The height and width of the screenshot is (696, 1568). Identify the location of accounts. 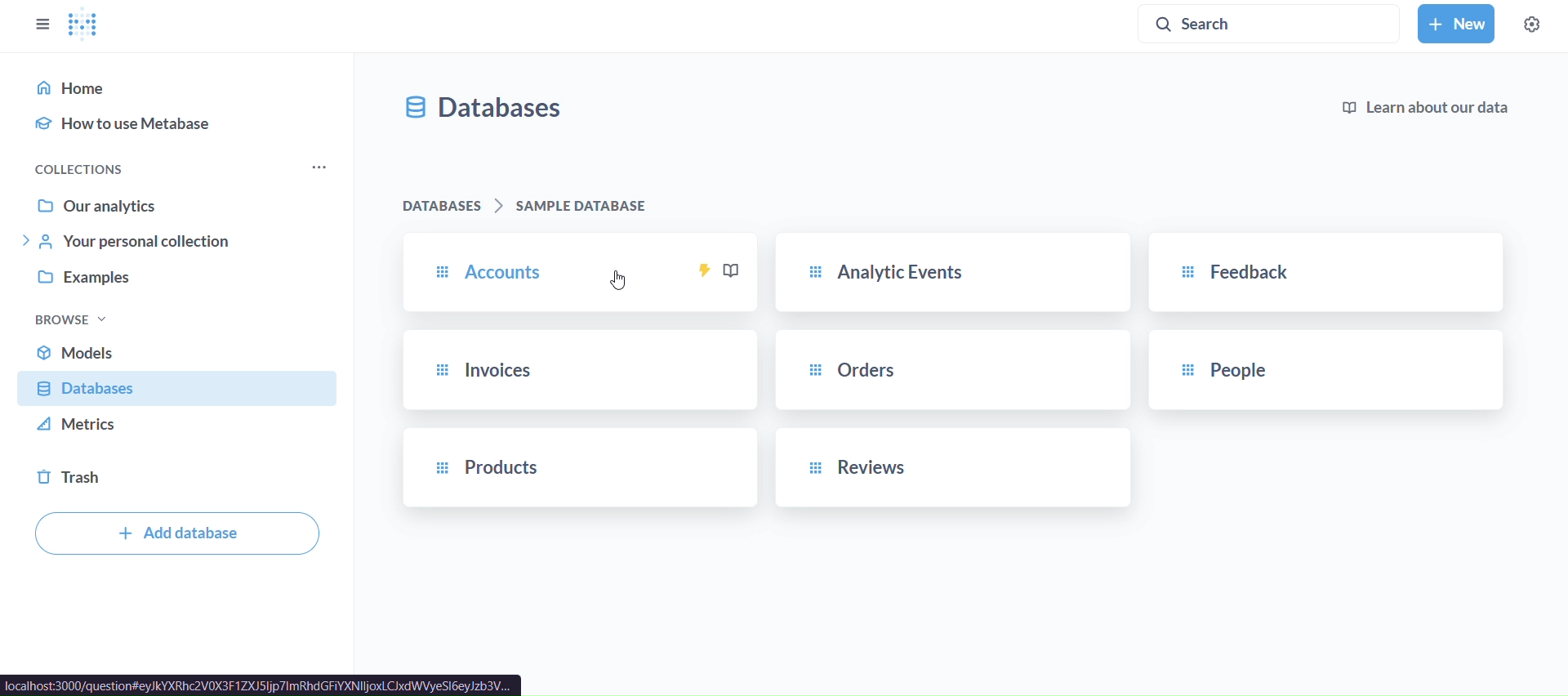
(580, 270).